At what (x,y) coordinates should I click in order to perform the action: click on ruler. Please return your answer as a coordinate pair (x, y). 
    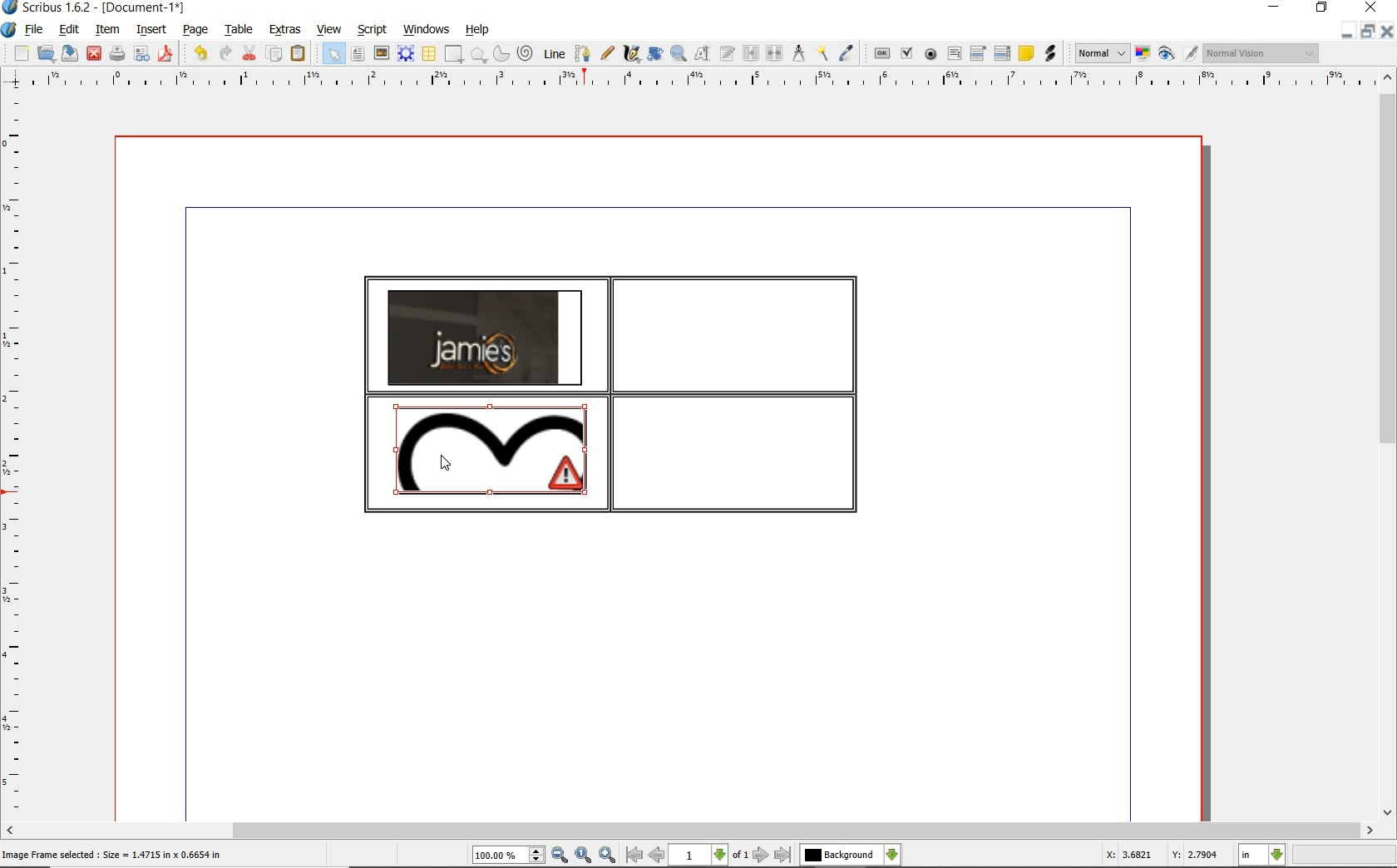
    Looking at the image, I should click on (706, 80).